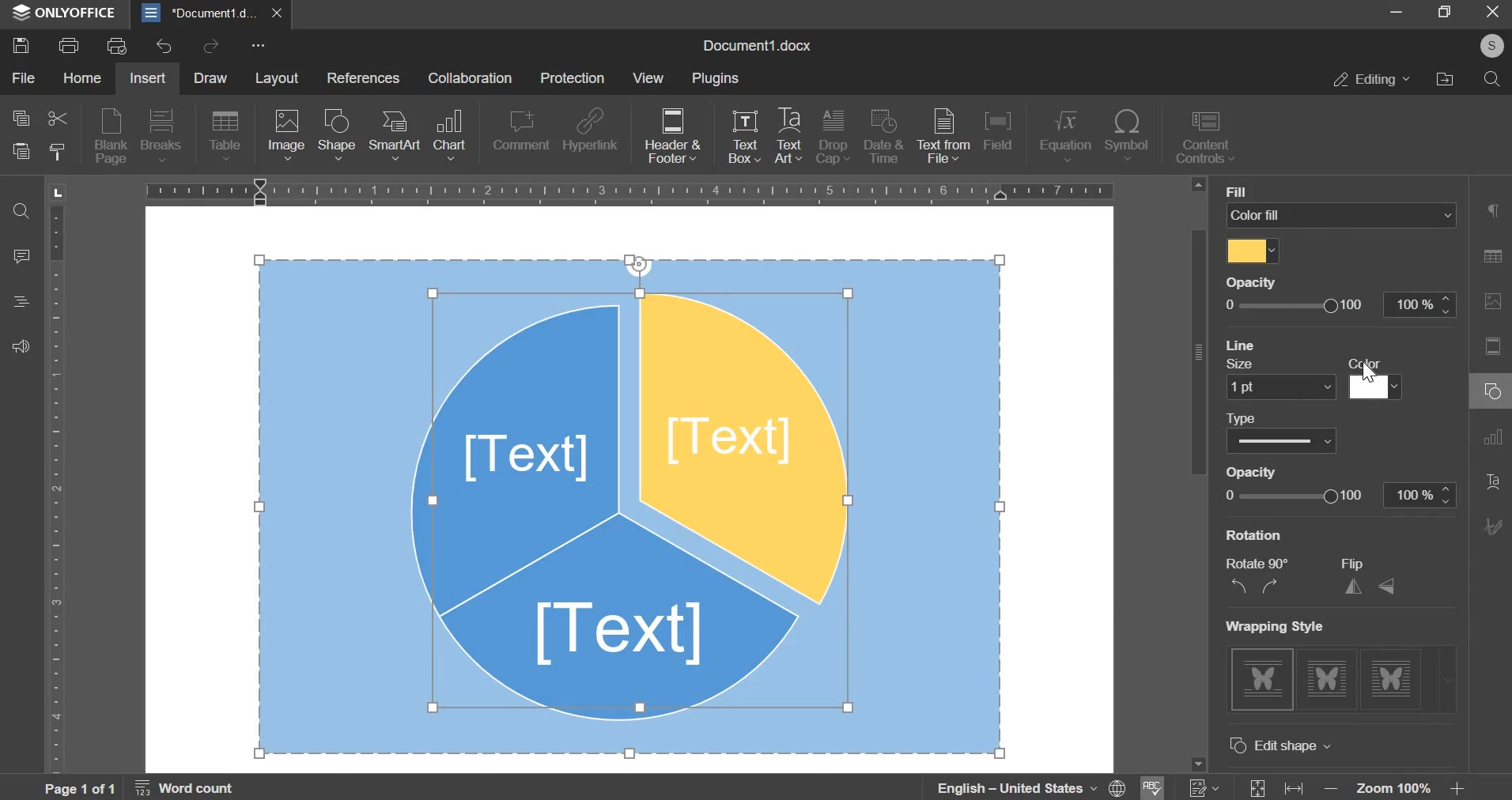  What do you see at coordinates (1354, 563) in the screenshot?
I see `` at bounding box center [1354, 563].